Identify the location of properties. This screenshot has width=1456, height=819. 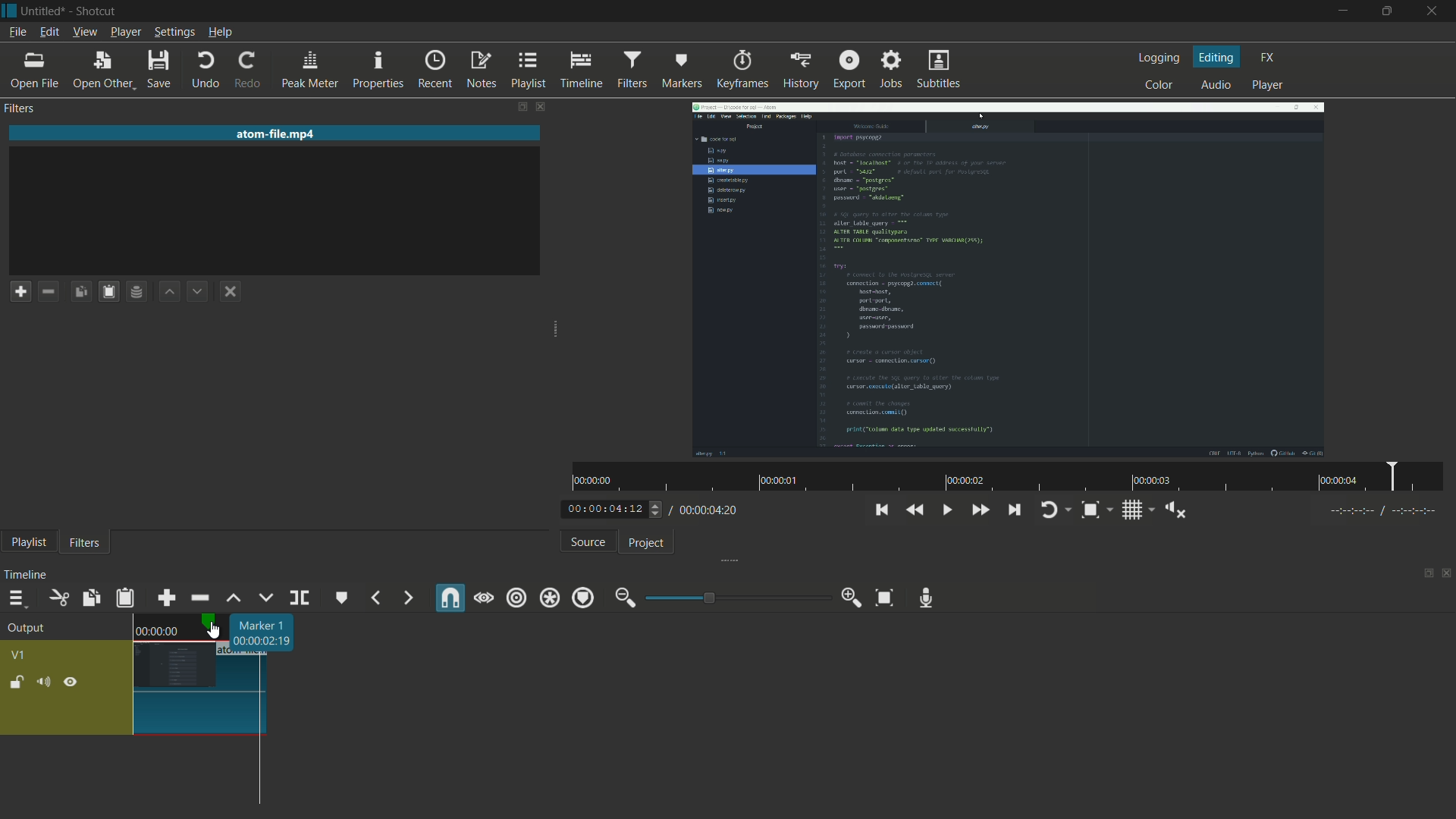
(377, 71).